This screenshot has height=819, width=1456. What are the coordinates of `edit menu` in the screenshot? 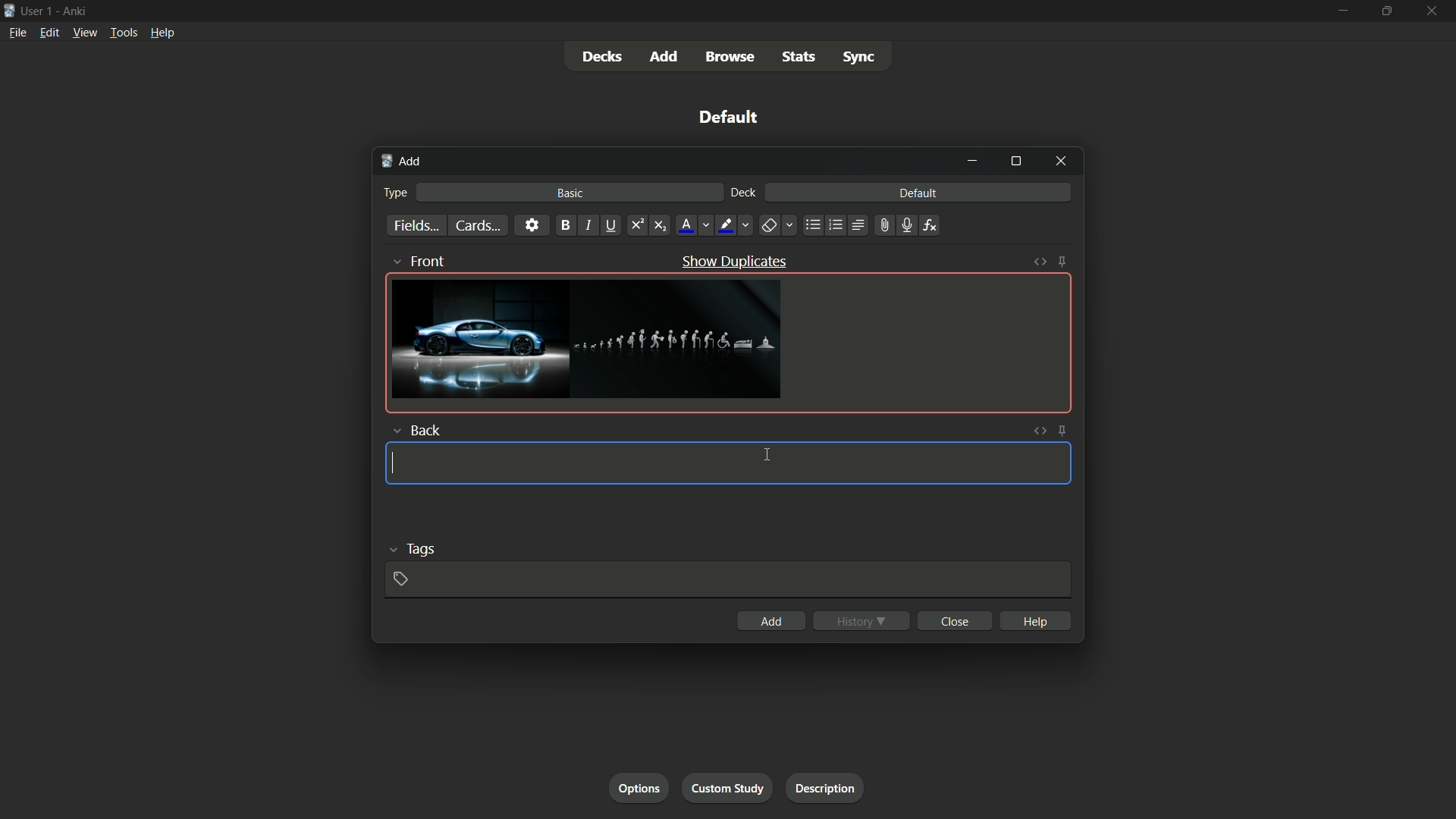 It's located at (52, 32).